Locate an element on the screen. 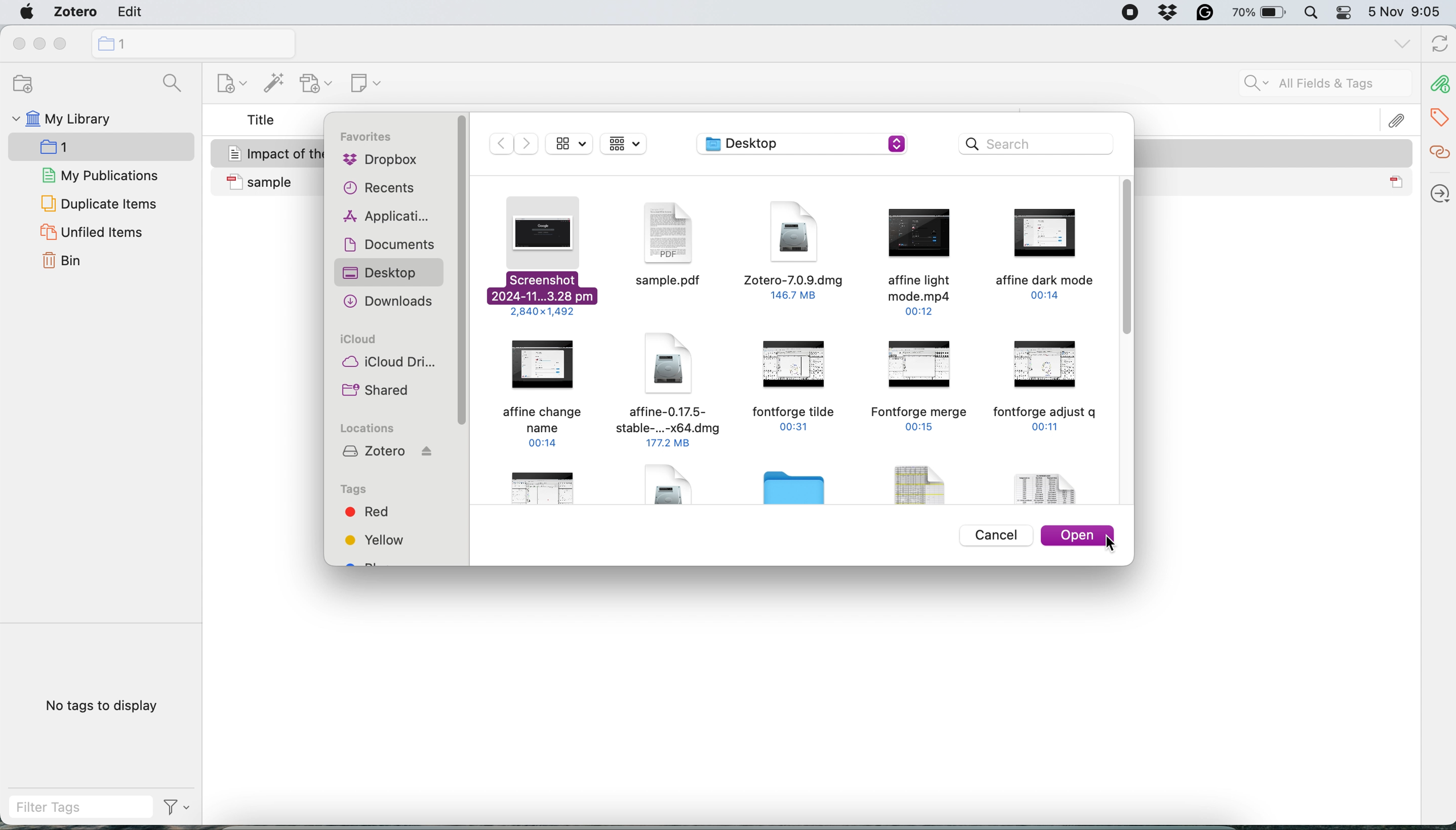 The image size is (1456, 830). no tags to display is located at coordinates (104, 705).